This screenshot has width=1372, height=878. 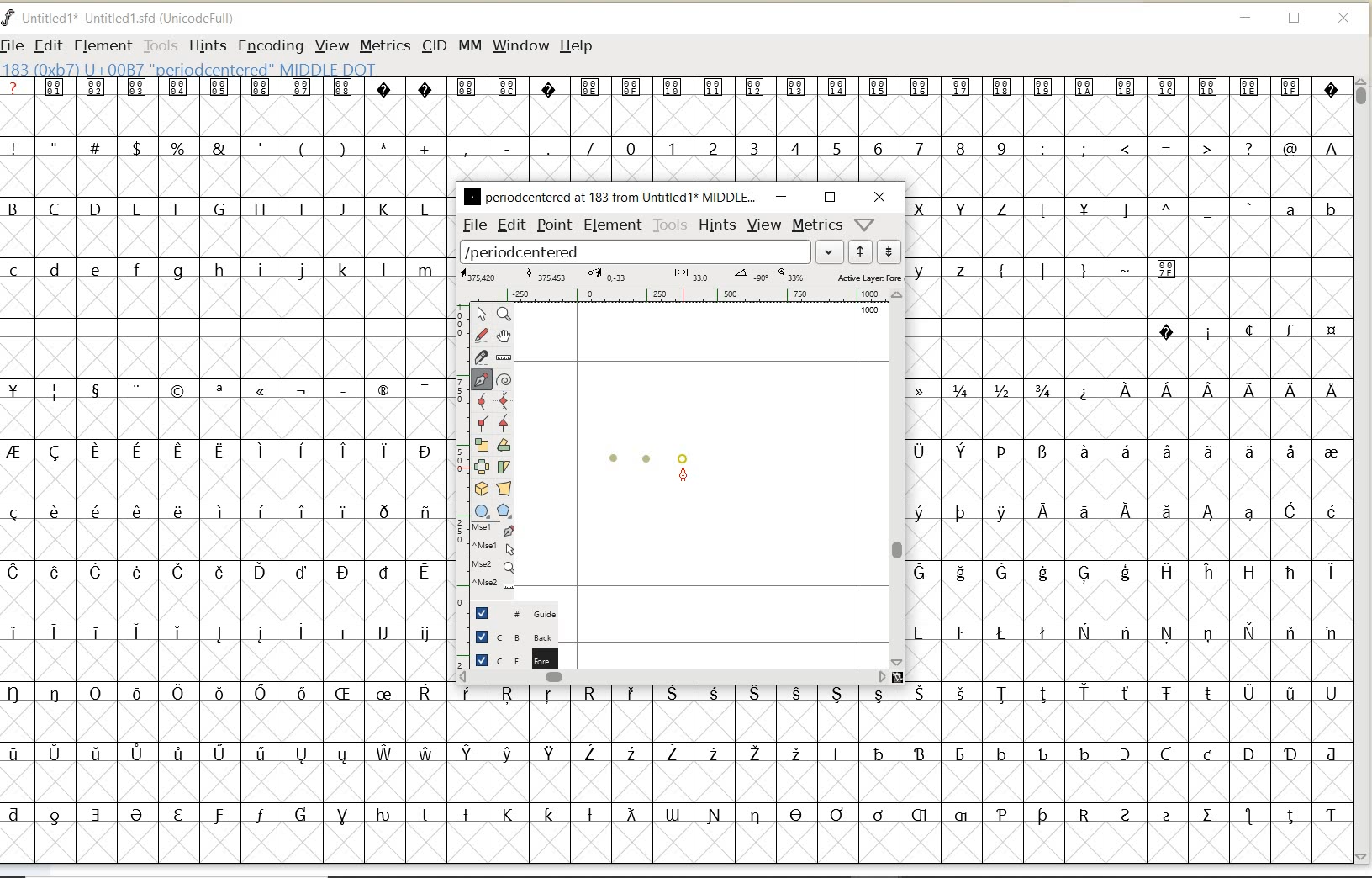 I want to click on edit, so click(x=510, y=225).